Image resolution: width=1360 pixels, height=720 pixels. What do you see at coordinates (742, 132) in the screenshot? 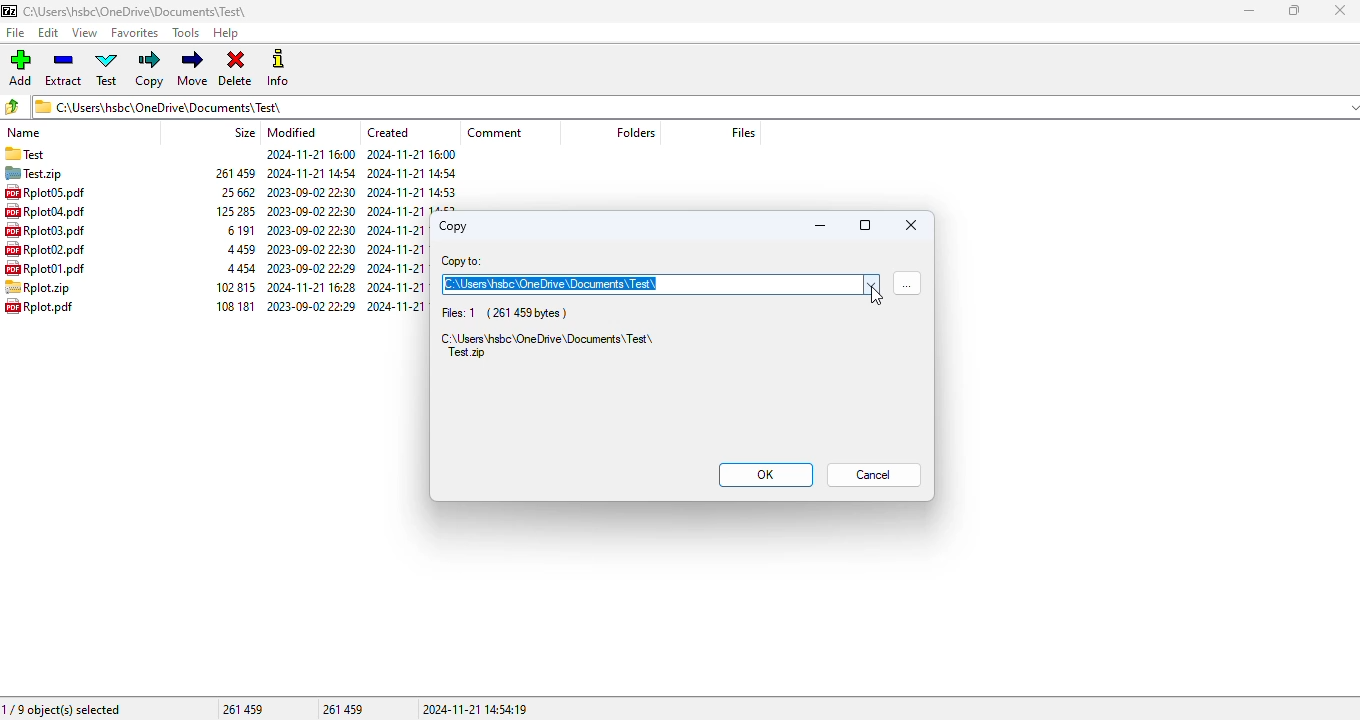
I see `files` at bounding box center [742, 132].